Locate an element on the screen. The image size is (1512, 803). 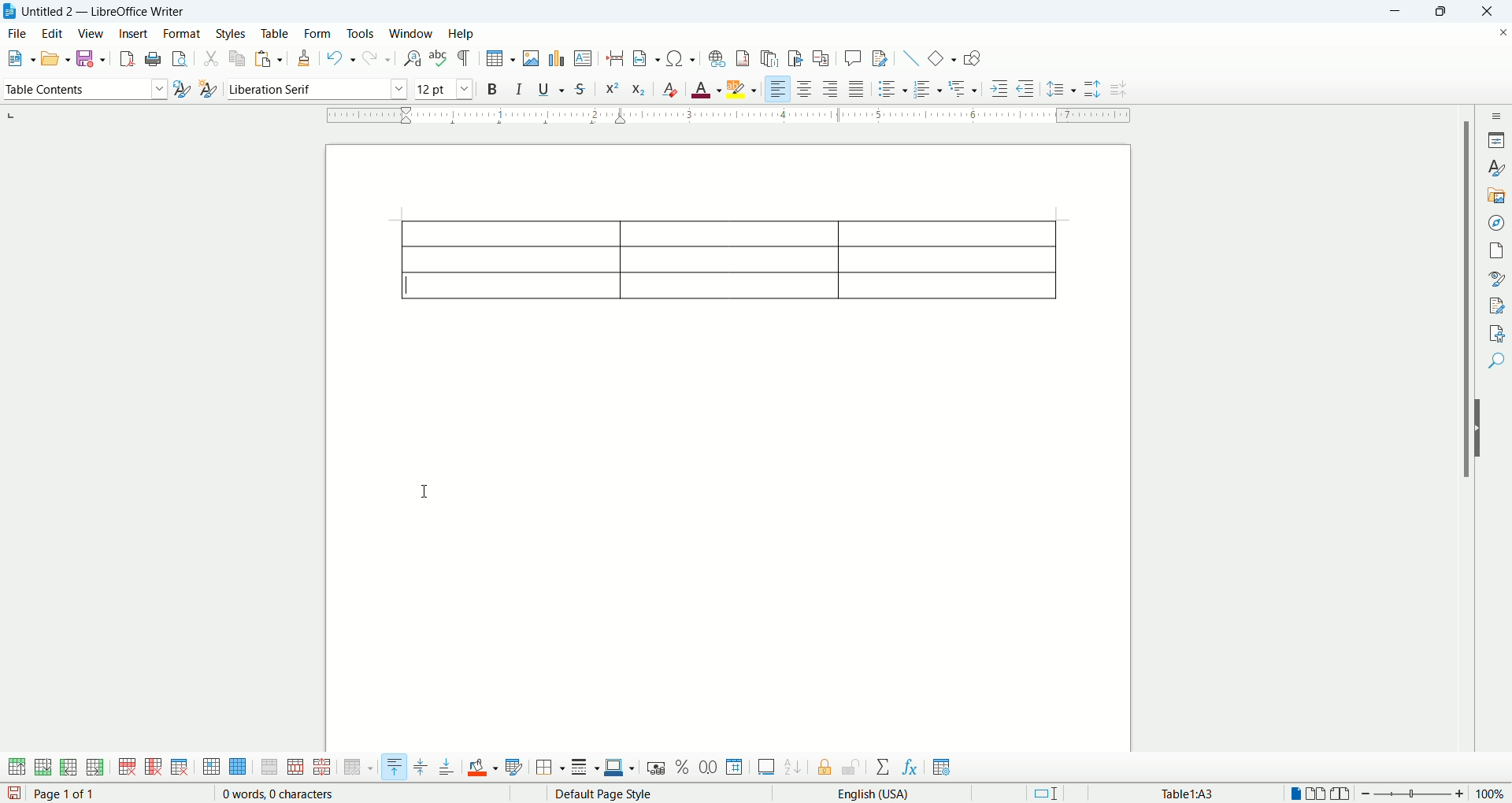
insert chart is located at coordinates (556, 57).